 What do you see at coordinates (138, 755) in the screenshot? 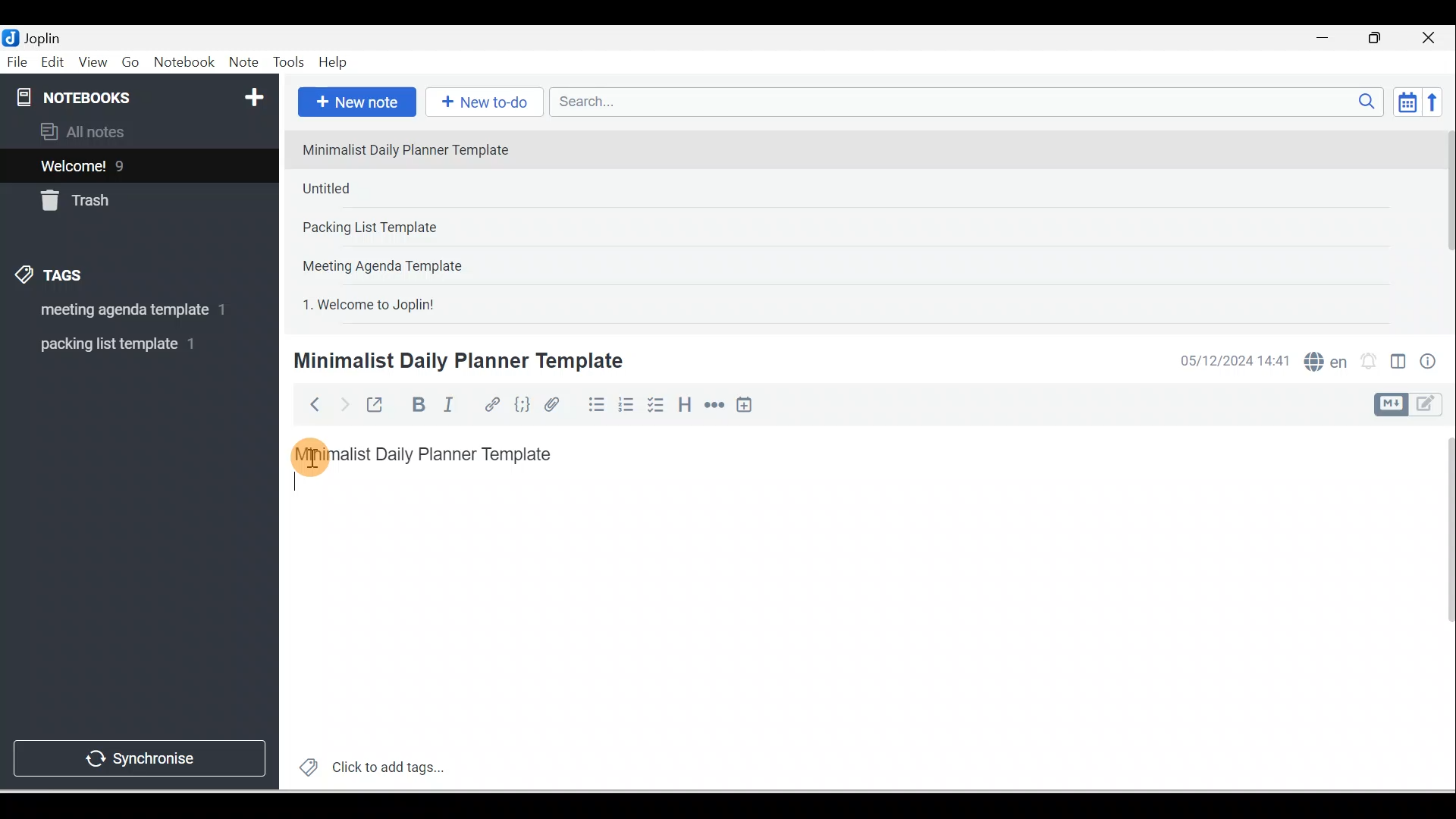
I see `Synchronise` at bounding box center [138, 755].